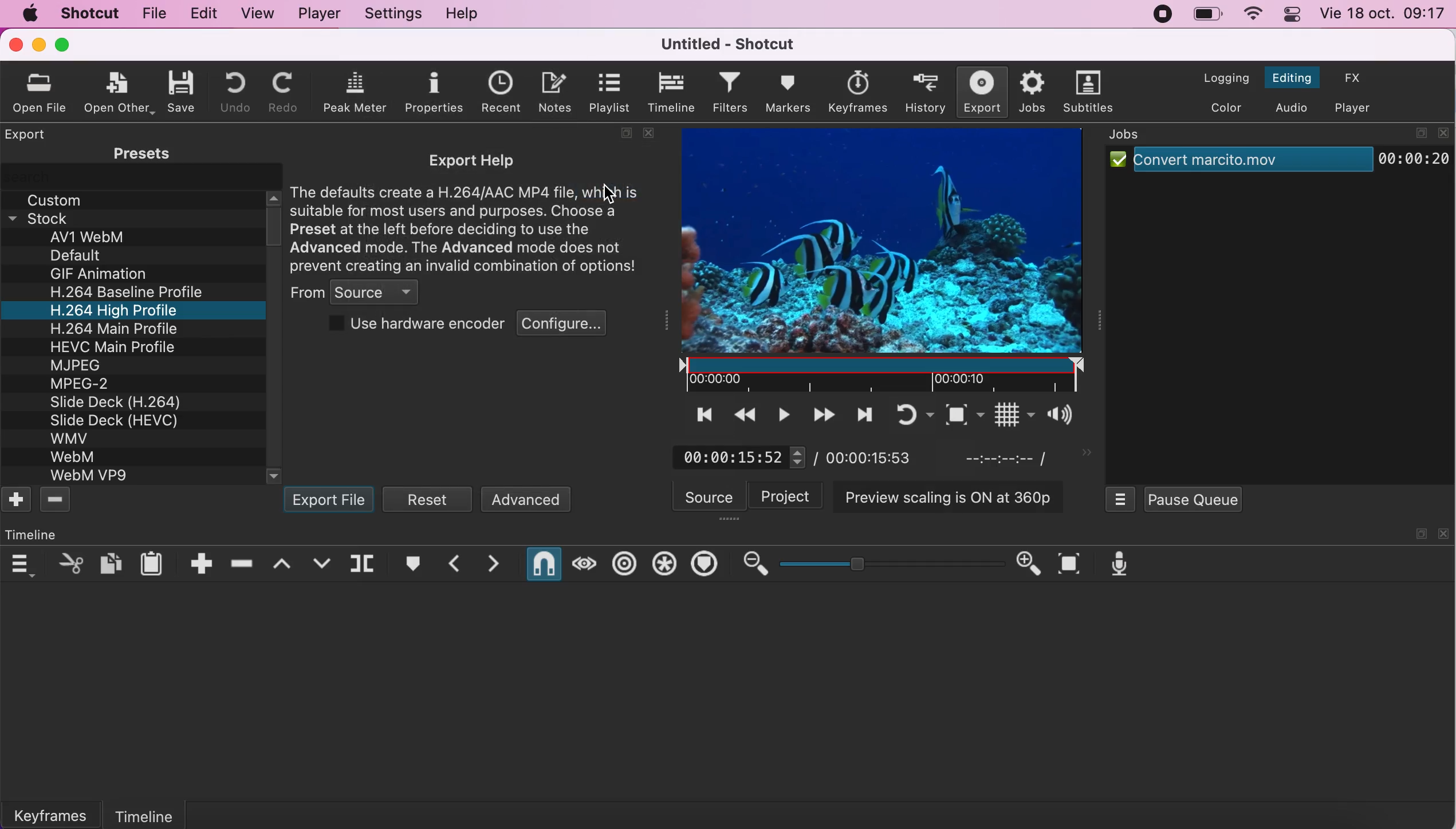 This screenshot has height=829, width=1456. Describe the element at coordinates (527, 499) in the screenshot. I see `advanced` at that location.